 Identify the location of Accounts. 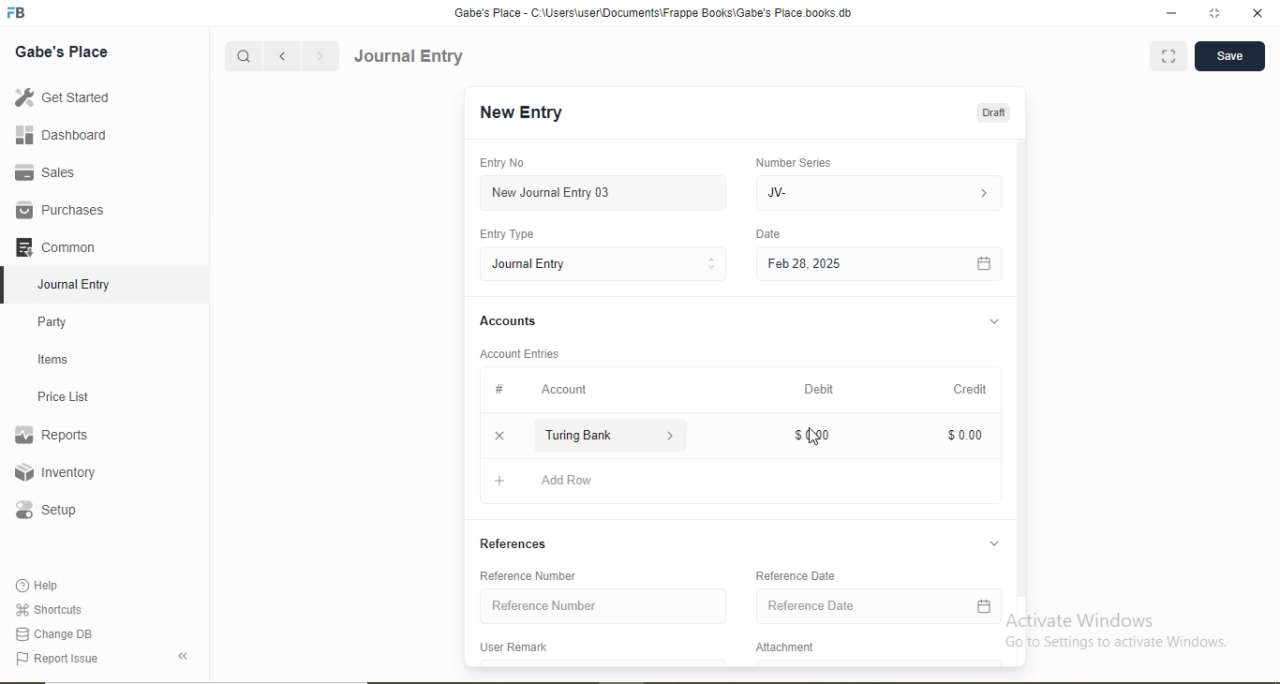
(508, 320).